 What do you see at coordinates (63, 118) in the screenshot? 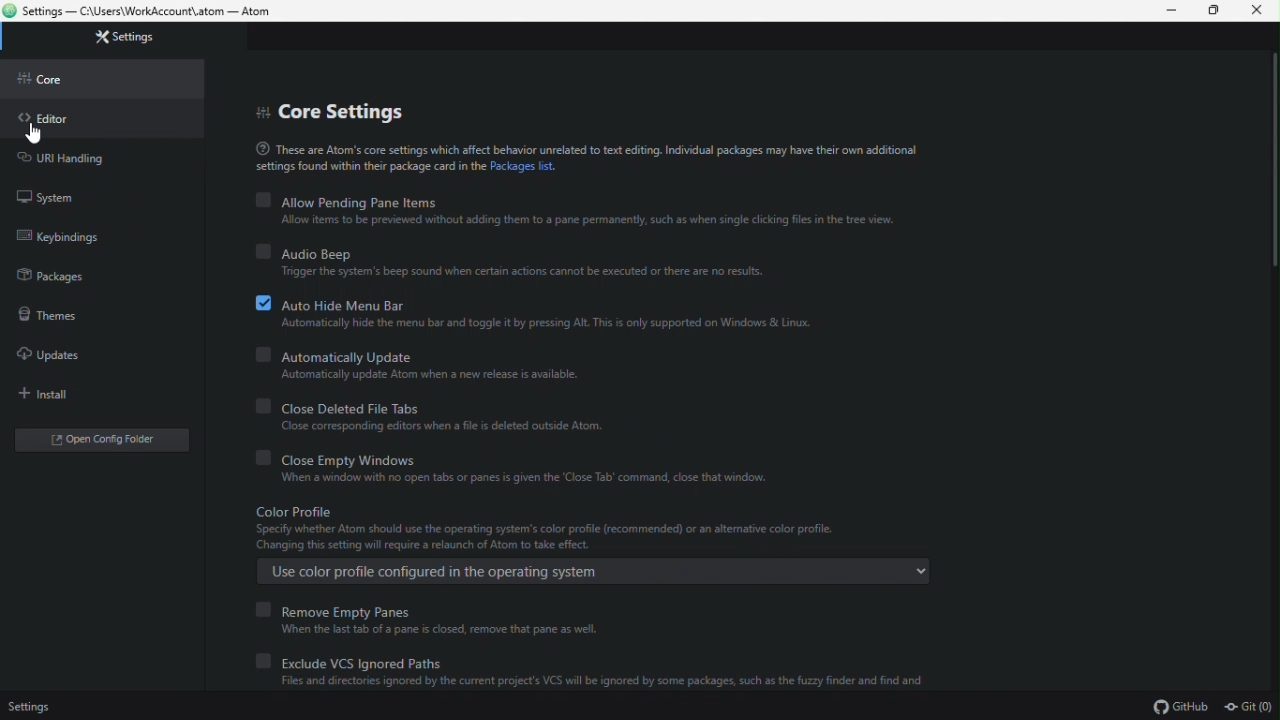
I see `Editor` at bounding box center [63, 118].